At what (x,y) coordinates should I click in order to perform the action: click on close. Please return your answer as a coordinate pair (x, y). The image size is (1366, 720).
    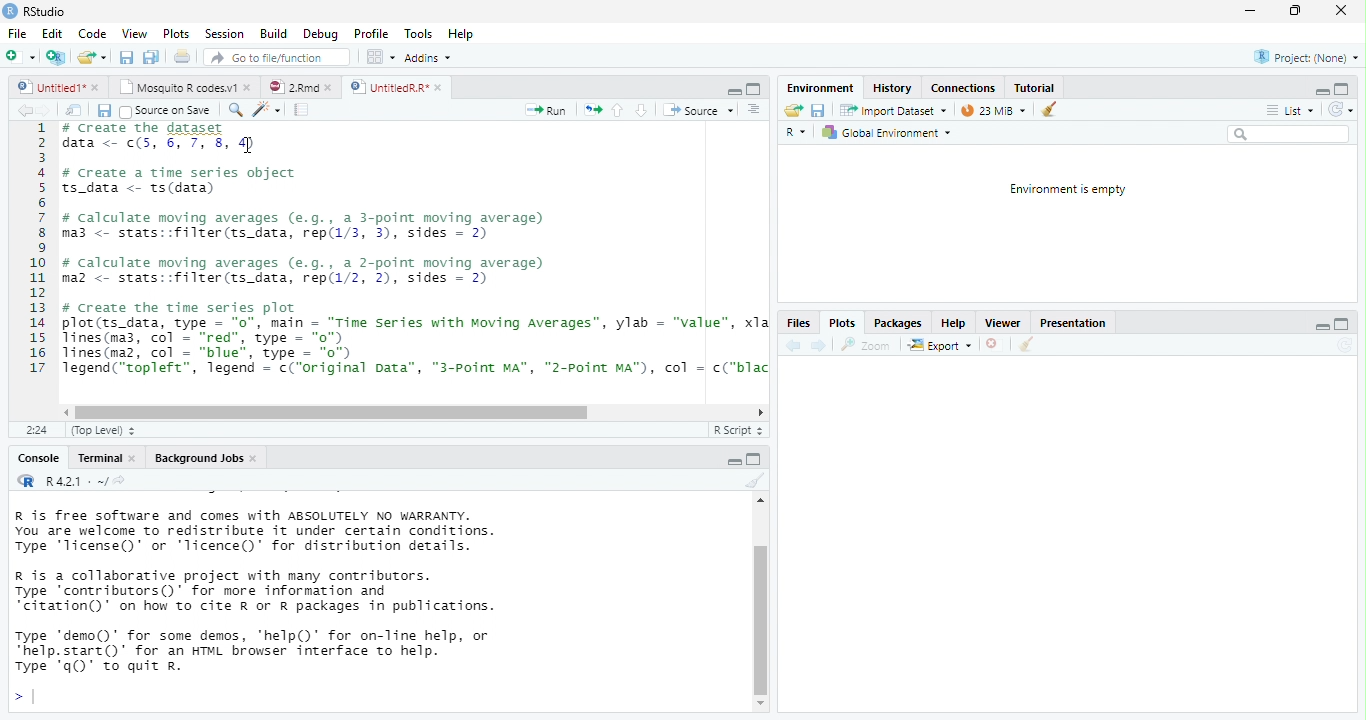
    Looking at the image, I should click on (136, 459).